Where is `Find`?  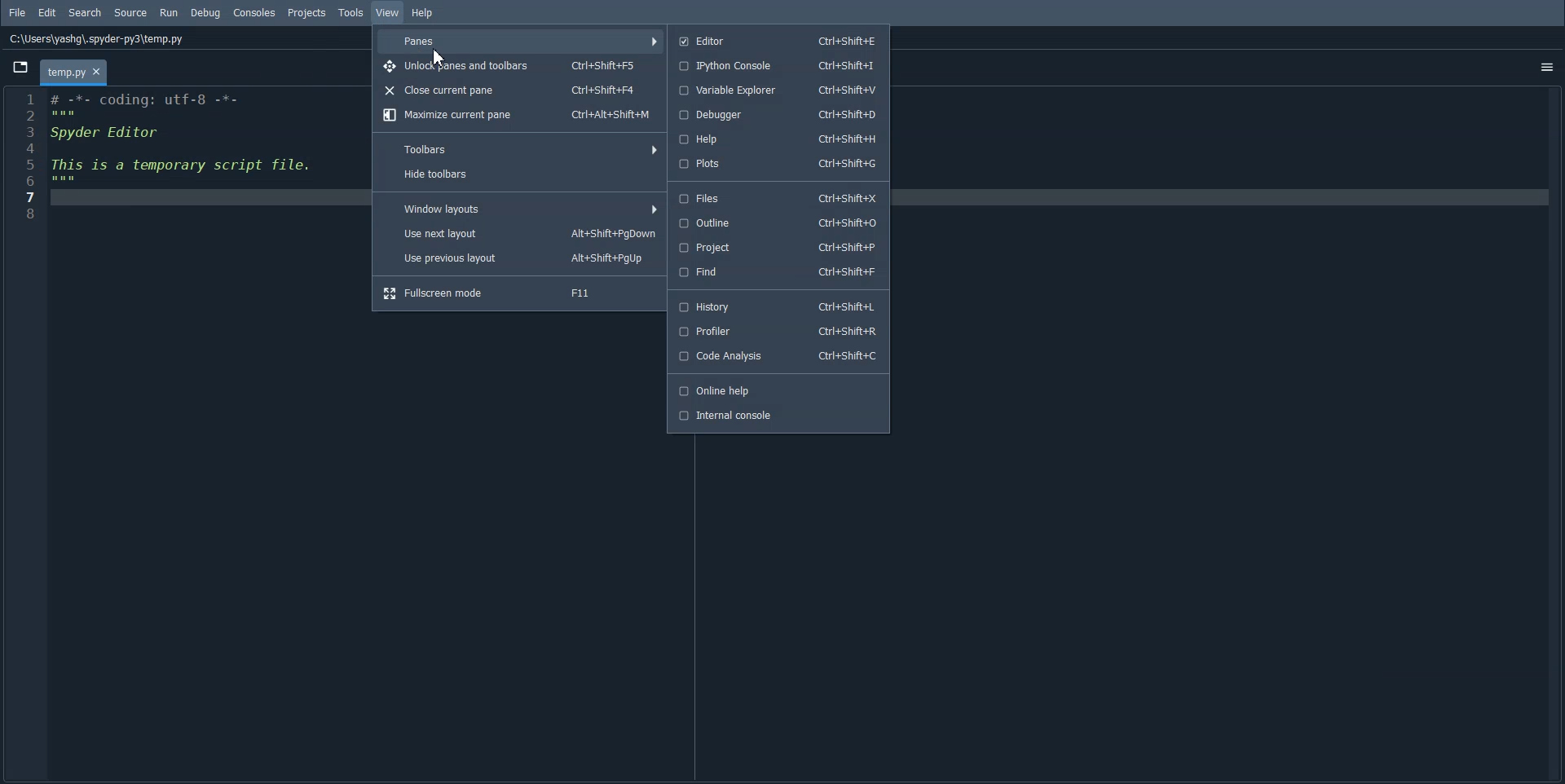 Find is located at coordinates (778, 272).